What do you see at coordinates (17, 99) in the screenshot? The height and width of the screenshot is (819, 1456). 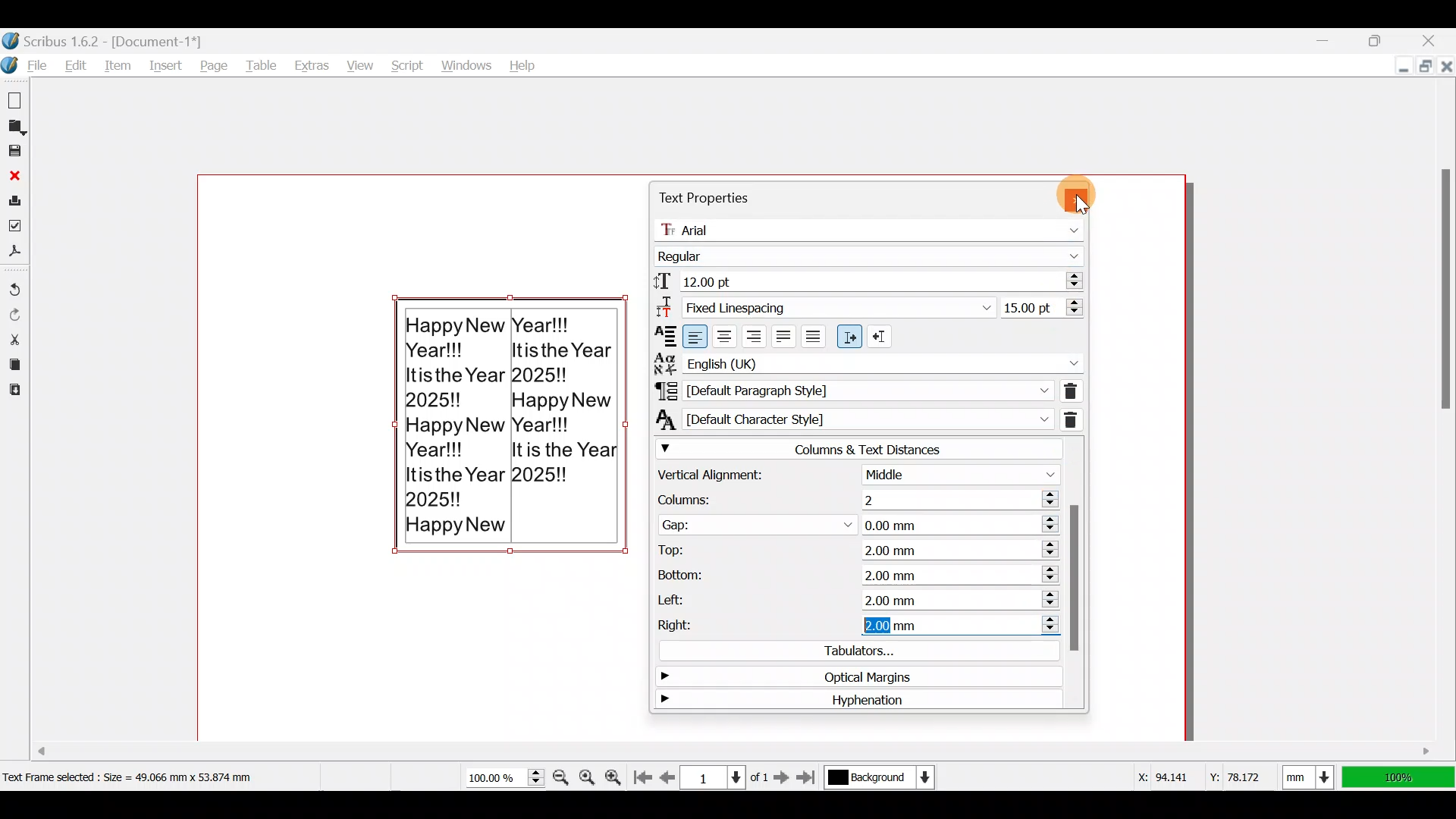 I see `New` at bounding box center [17, 99].